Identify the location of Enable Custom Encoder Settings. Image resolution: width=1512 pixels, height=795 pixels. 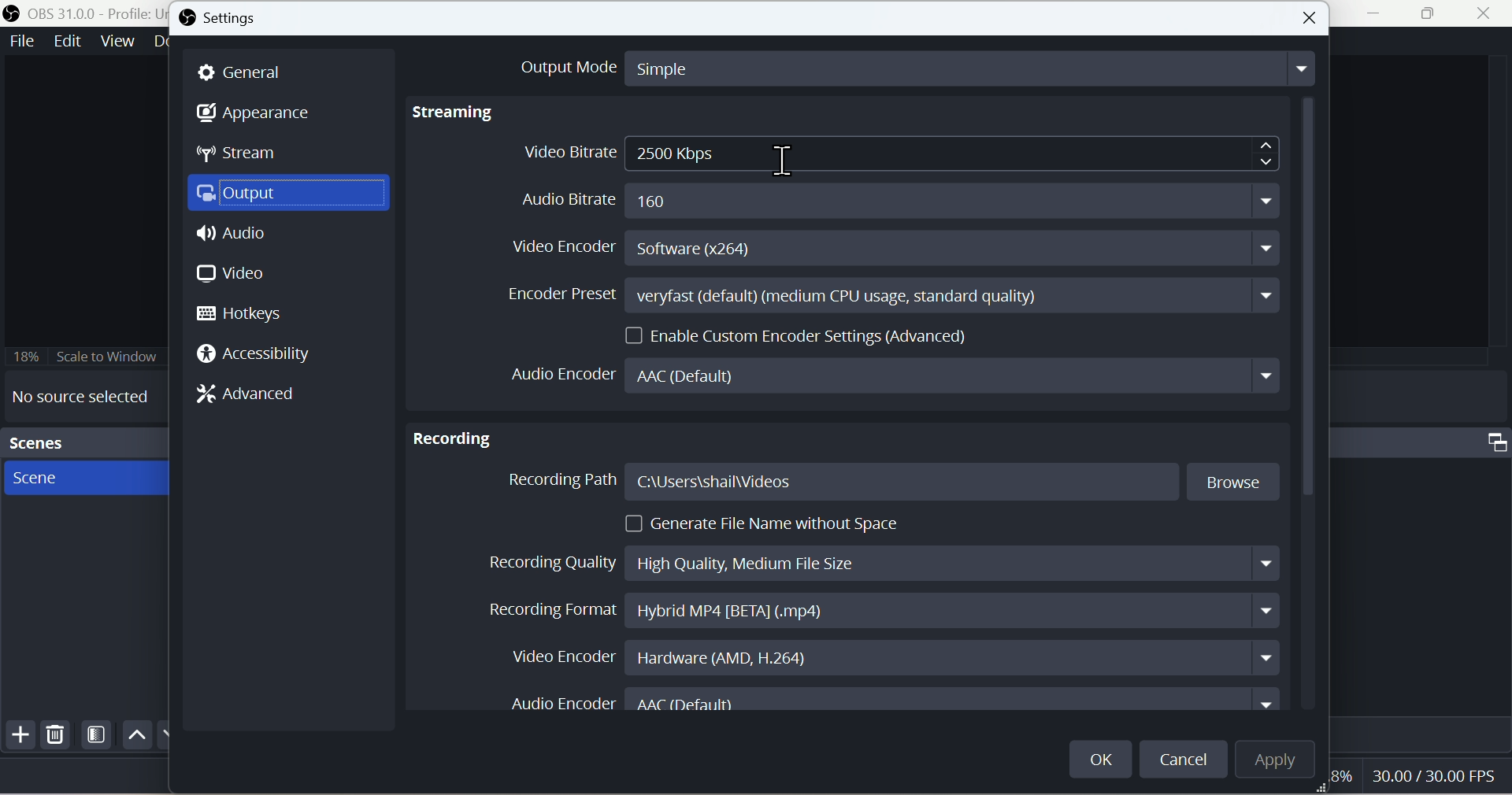
(802, 334).